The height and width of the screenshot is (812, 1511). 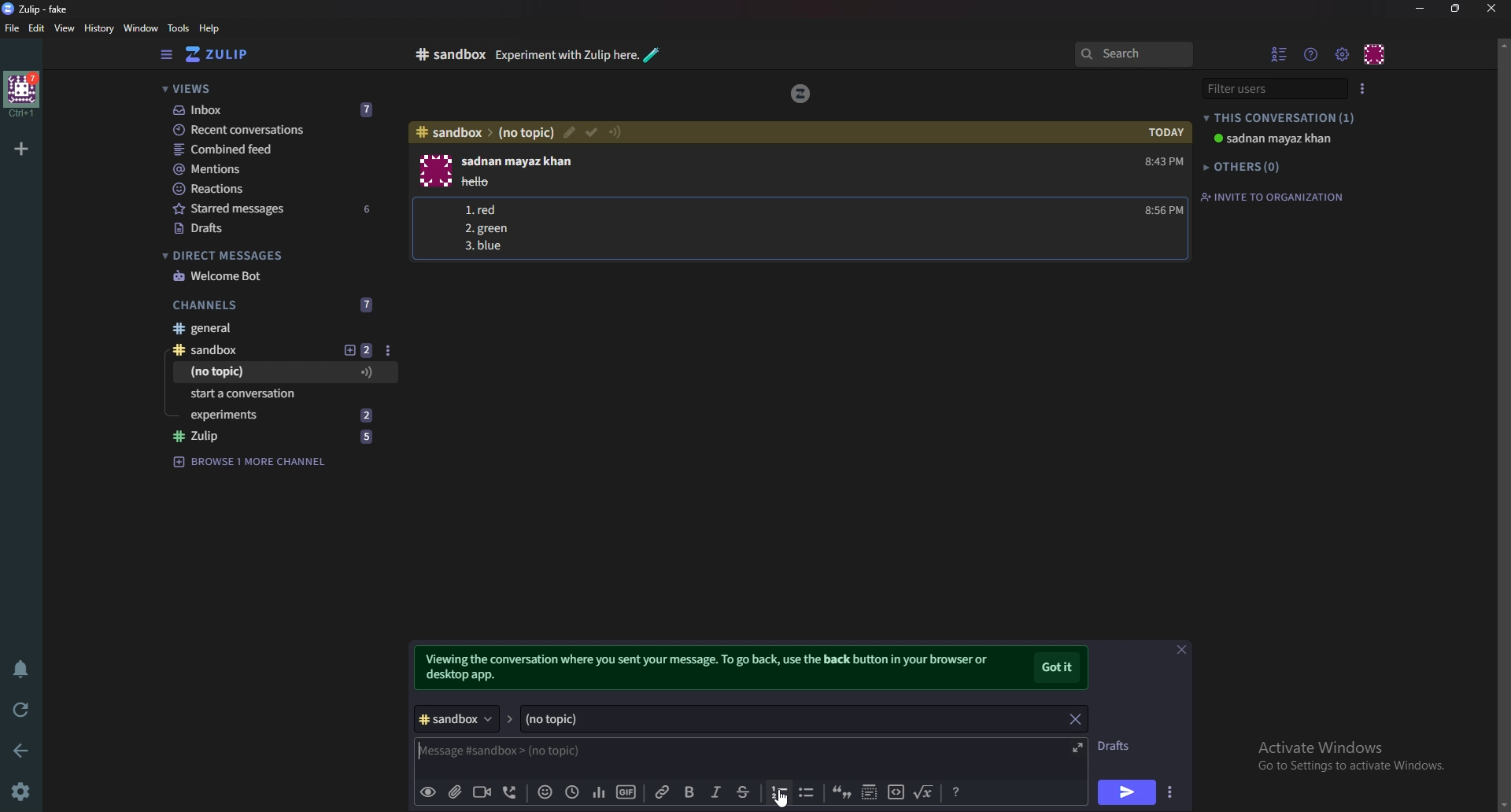 What do you see at coordinates (1275, 87) in the screenshot?
I see `filter users` at bounding box center [1275, 87].